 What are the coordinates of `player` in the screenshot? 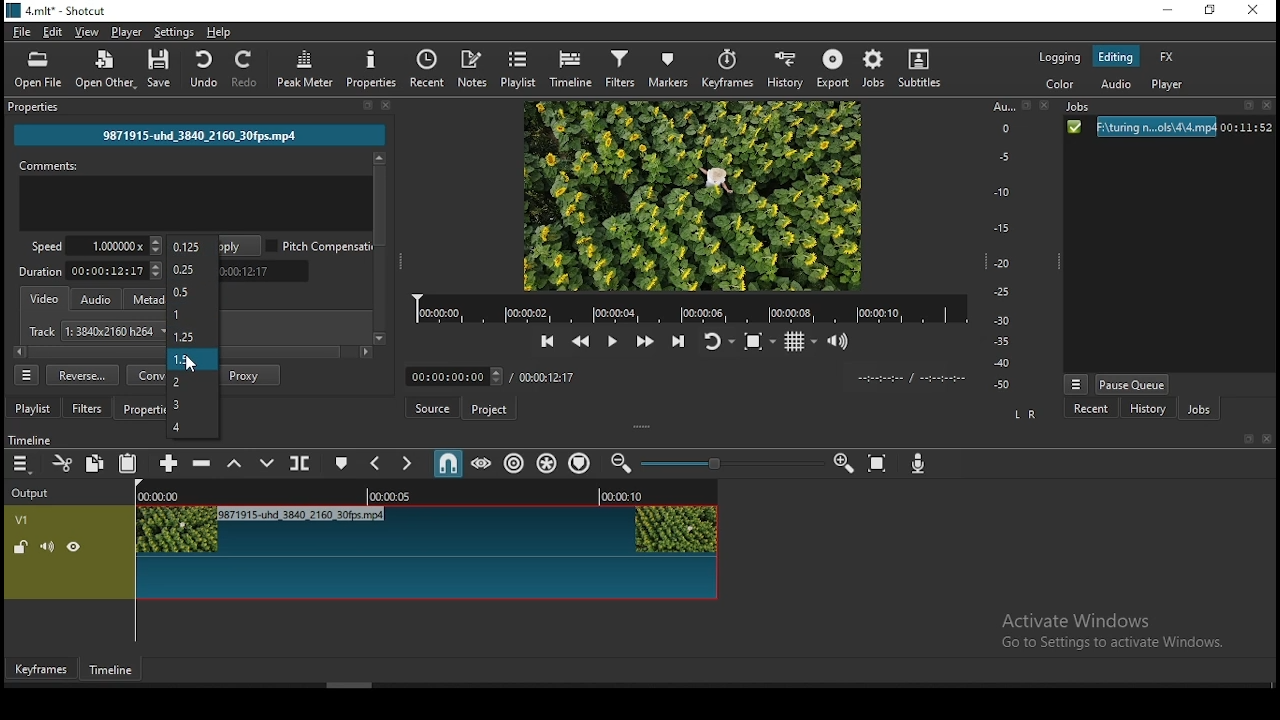 It's located at (126, 31).